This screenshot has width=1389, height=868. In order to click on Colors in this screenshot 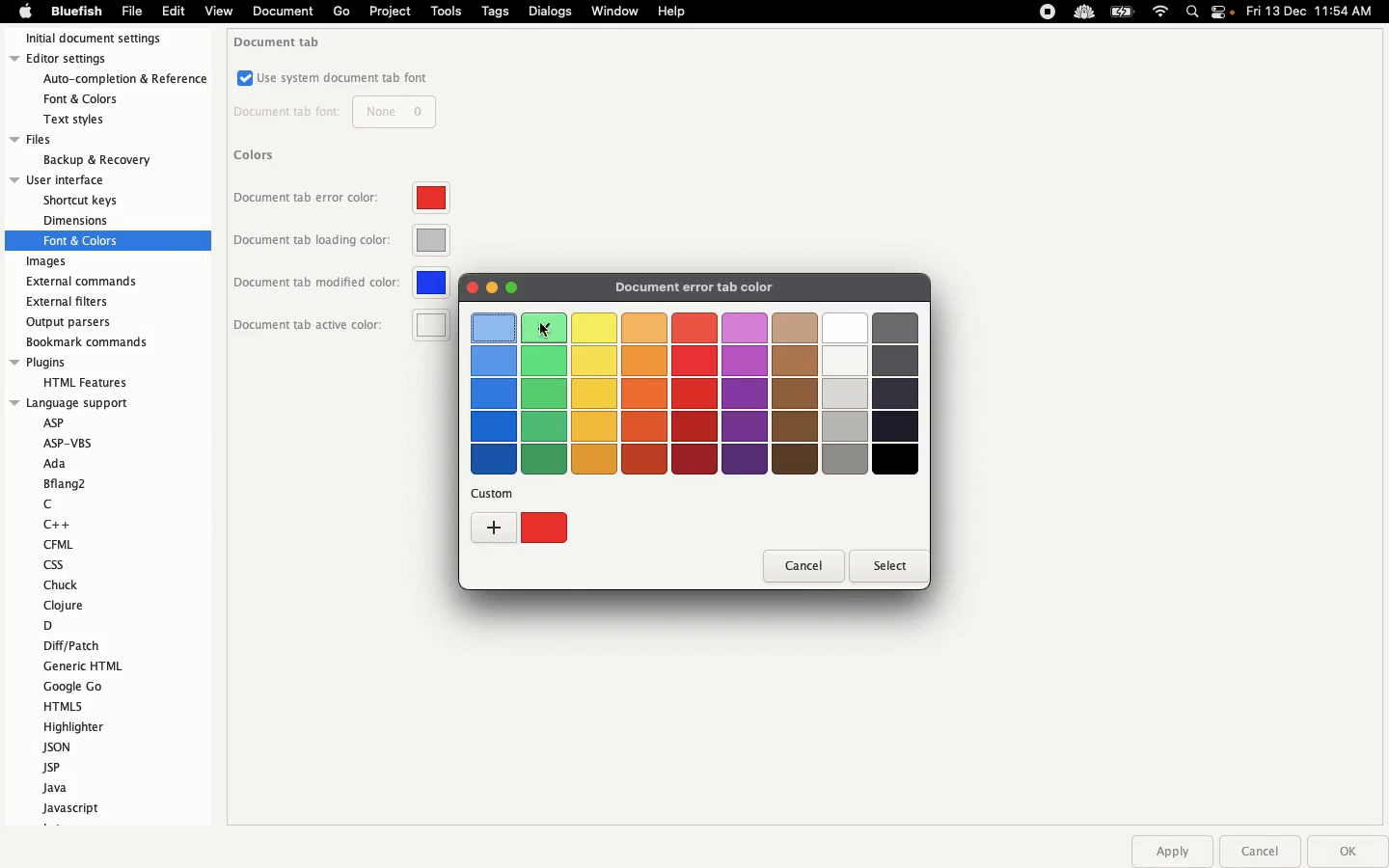, I will do `click(696, 393)`.